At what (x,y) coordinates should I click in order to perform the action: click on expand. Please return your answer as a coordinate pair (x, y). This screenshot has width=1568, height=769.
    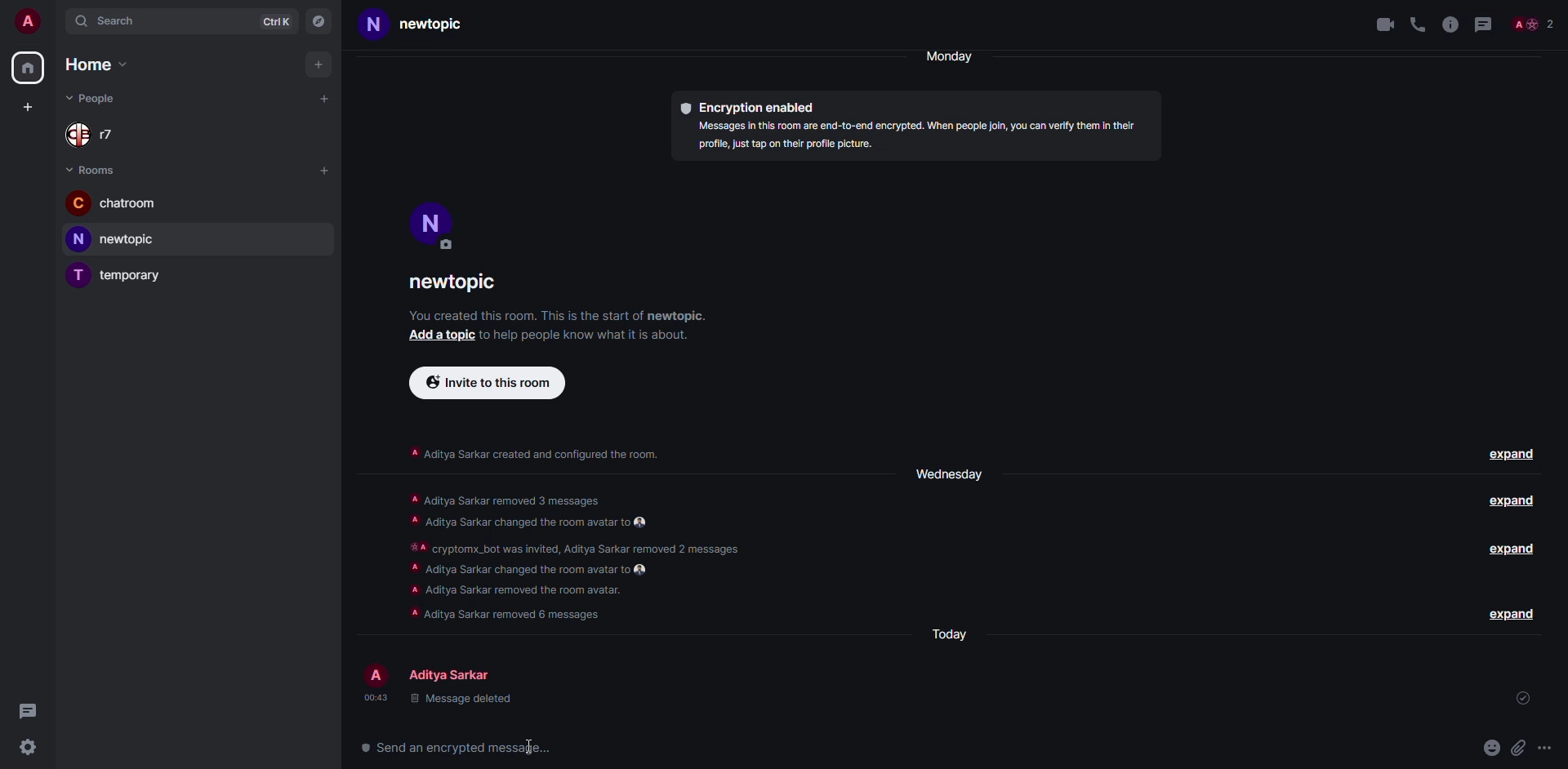
    Looking at the image, I should click on (1517, 549).